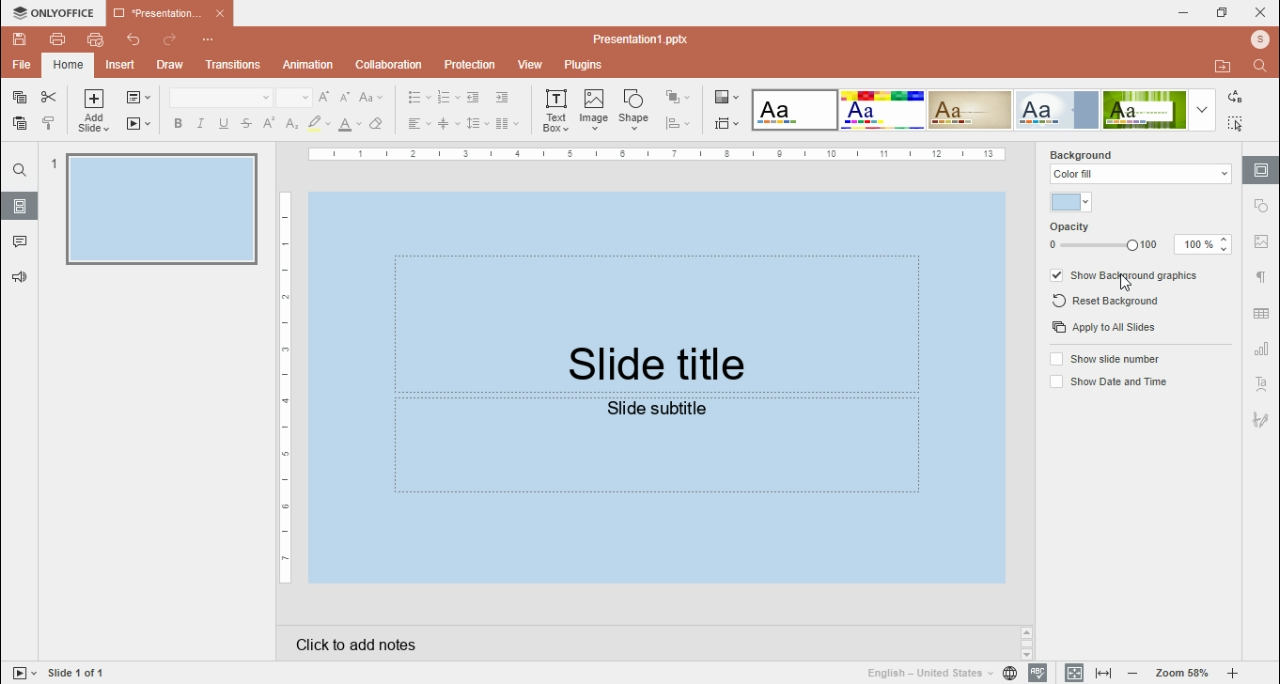 The width and height of the screenshot is (1280, 684). I want to click on protection, so click(468, 65).